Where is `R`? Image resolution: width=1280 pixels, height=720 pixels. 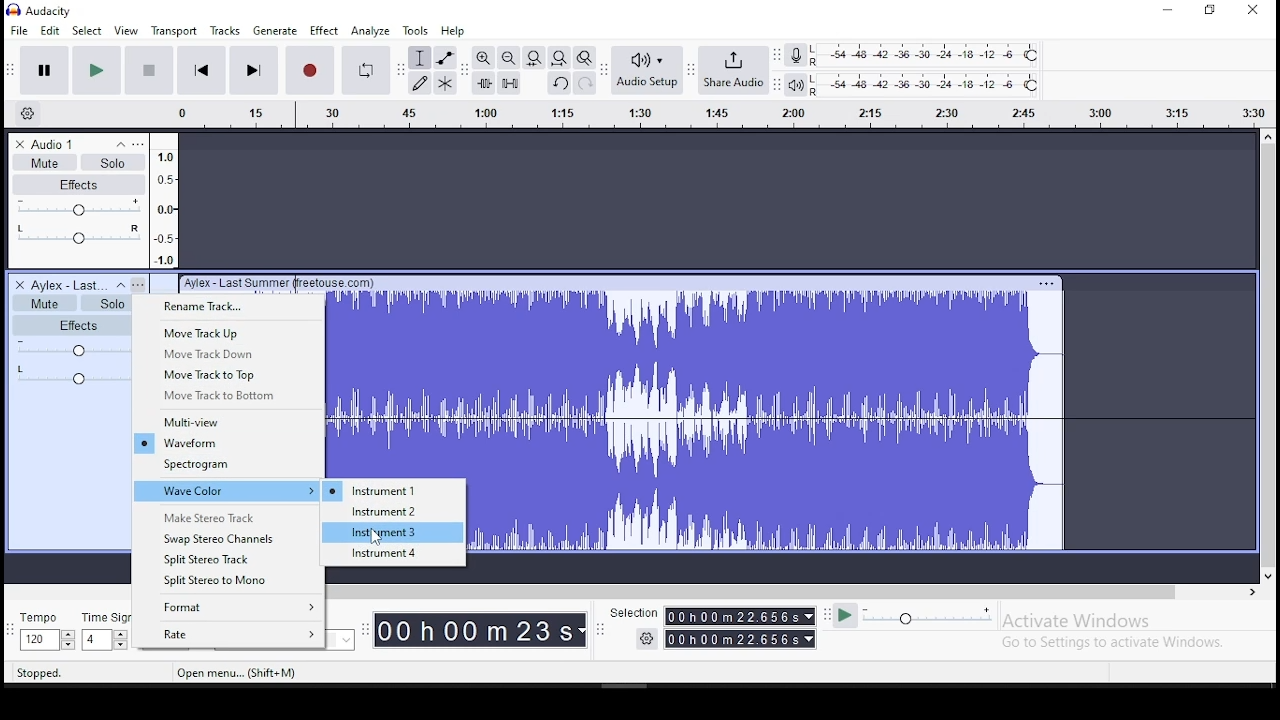
R is located at coordinates (816, 92).